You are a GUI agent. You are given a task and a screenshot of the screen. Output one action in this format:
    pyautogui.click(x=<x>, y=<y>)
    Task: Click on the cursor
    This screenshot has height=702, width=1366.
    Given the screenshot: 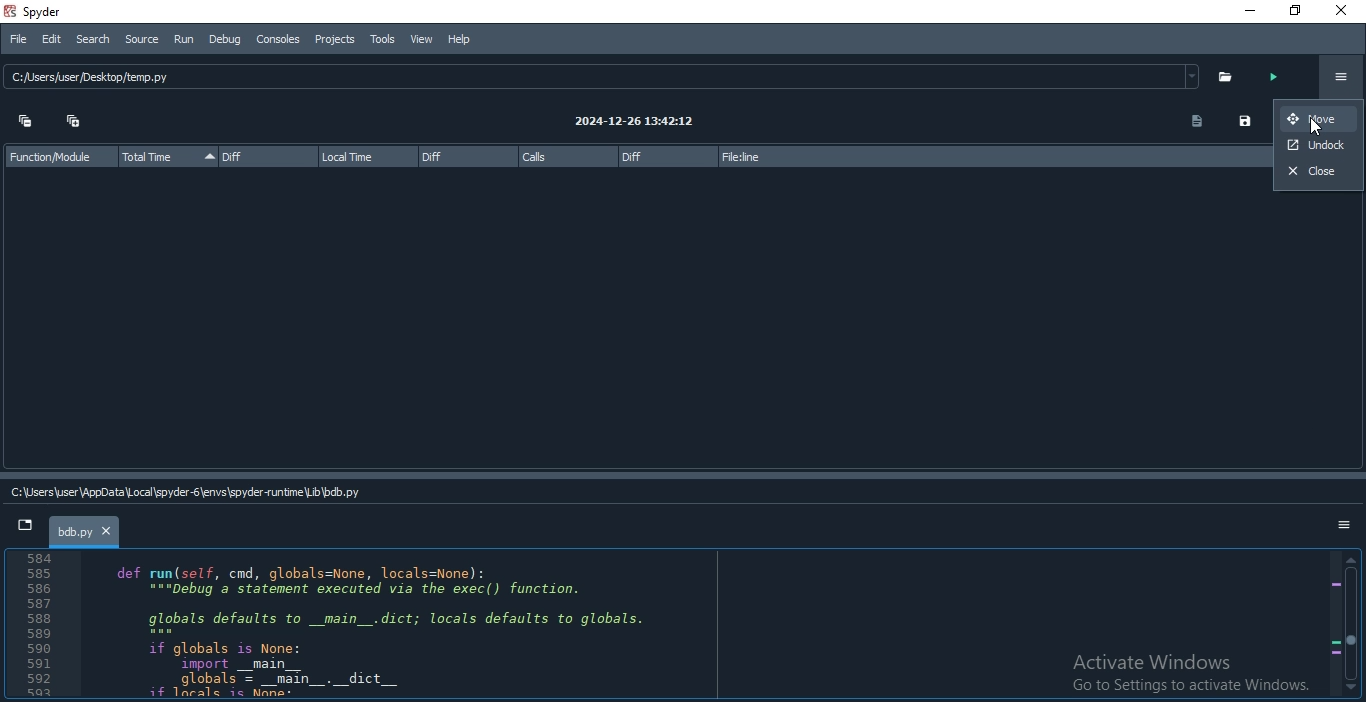 What is the action you would take?
    pyautogui.click(x=1315, y=128)
    